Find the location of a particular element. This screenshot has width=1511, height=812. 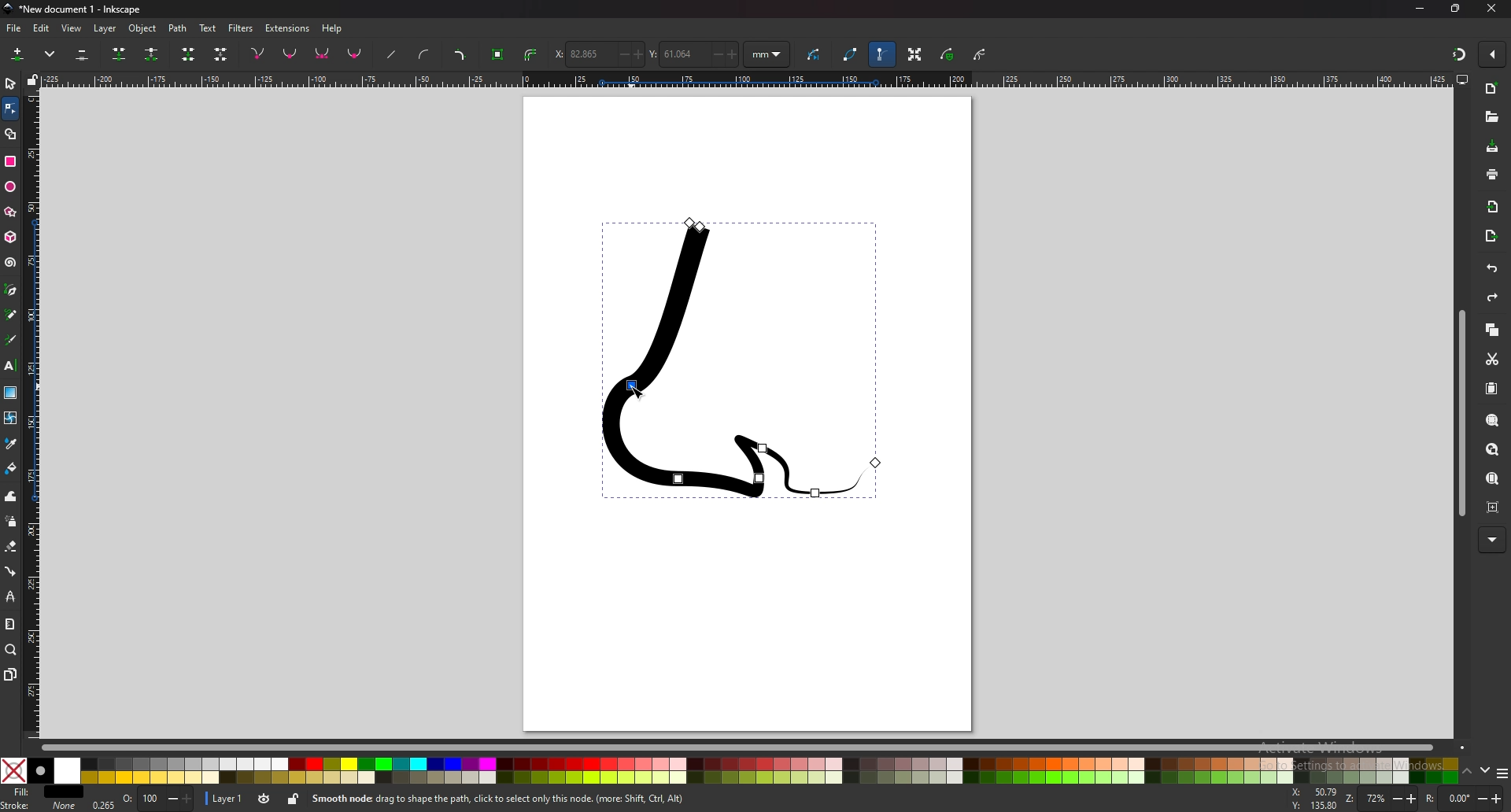

toggle visibility is located at coordinates (263, 799).